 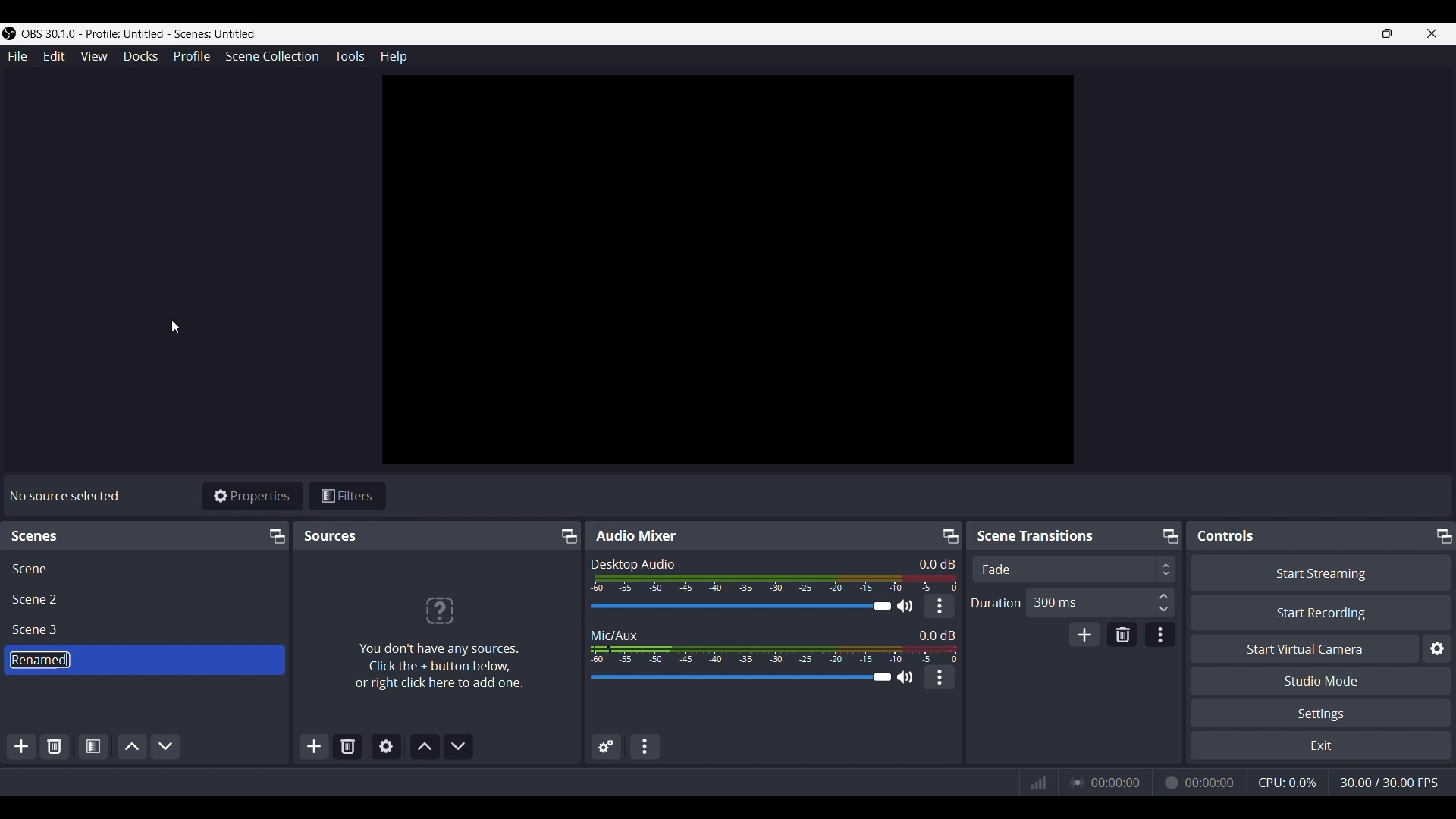 What do you see at coordinates (1038, 783) in the screenshot?
I see `Connection Status Indicator` at bounding box center [1038, 783].